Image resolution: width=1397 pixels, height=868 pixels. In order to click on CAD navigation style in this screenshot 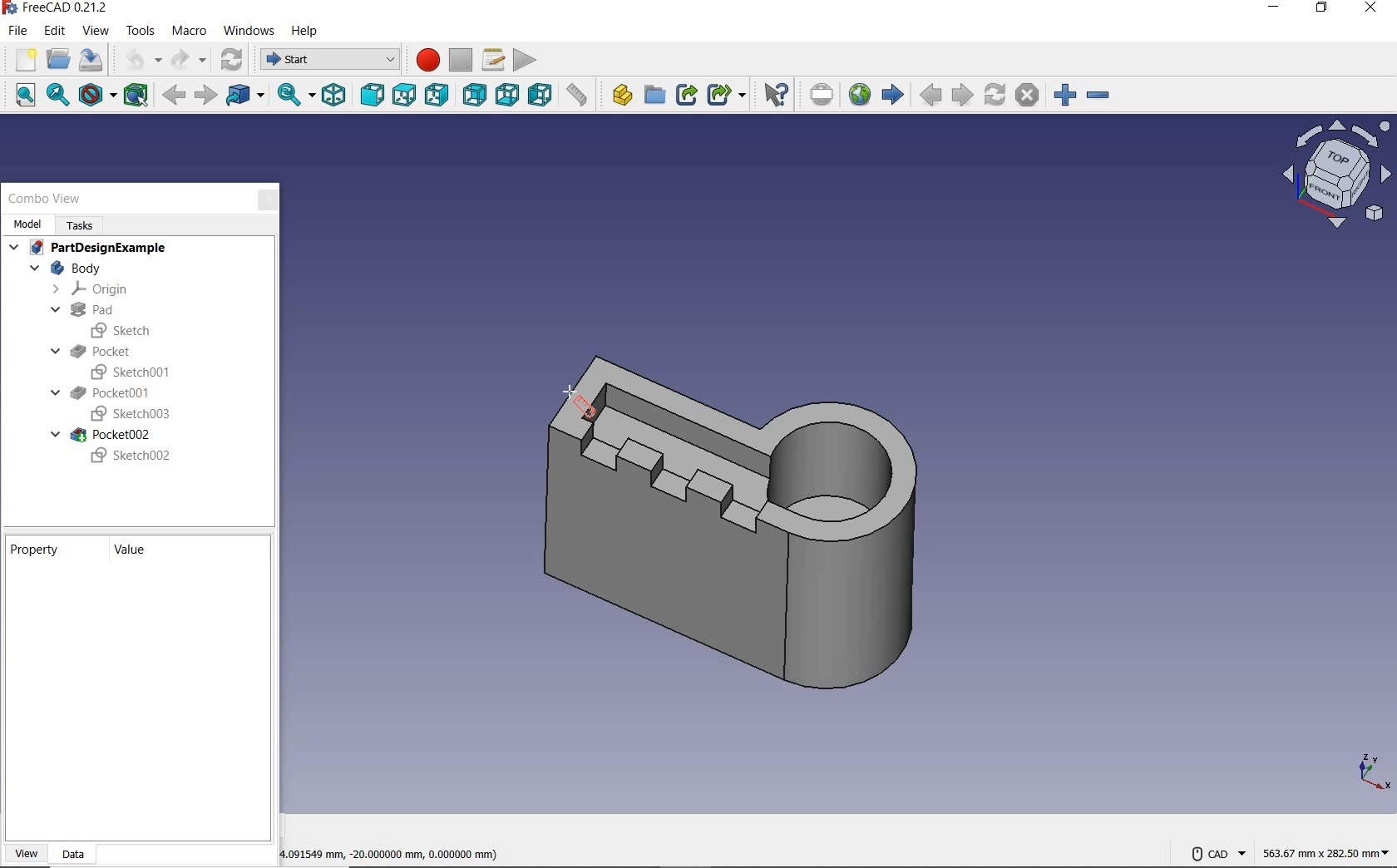, I will do `click(1217, 854)`.